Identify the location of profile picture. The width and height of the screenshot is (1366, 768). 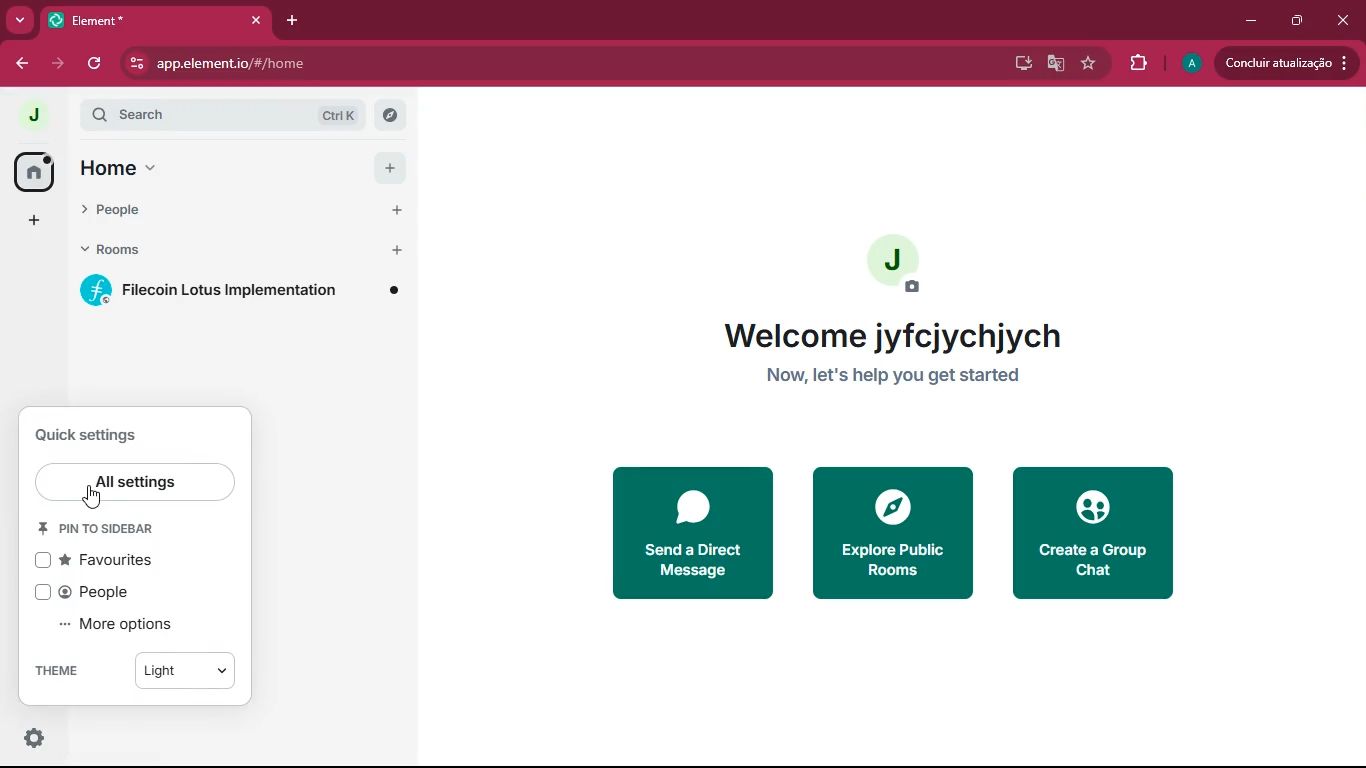
(1189, 64).